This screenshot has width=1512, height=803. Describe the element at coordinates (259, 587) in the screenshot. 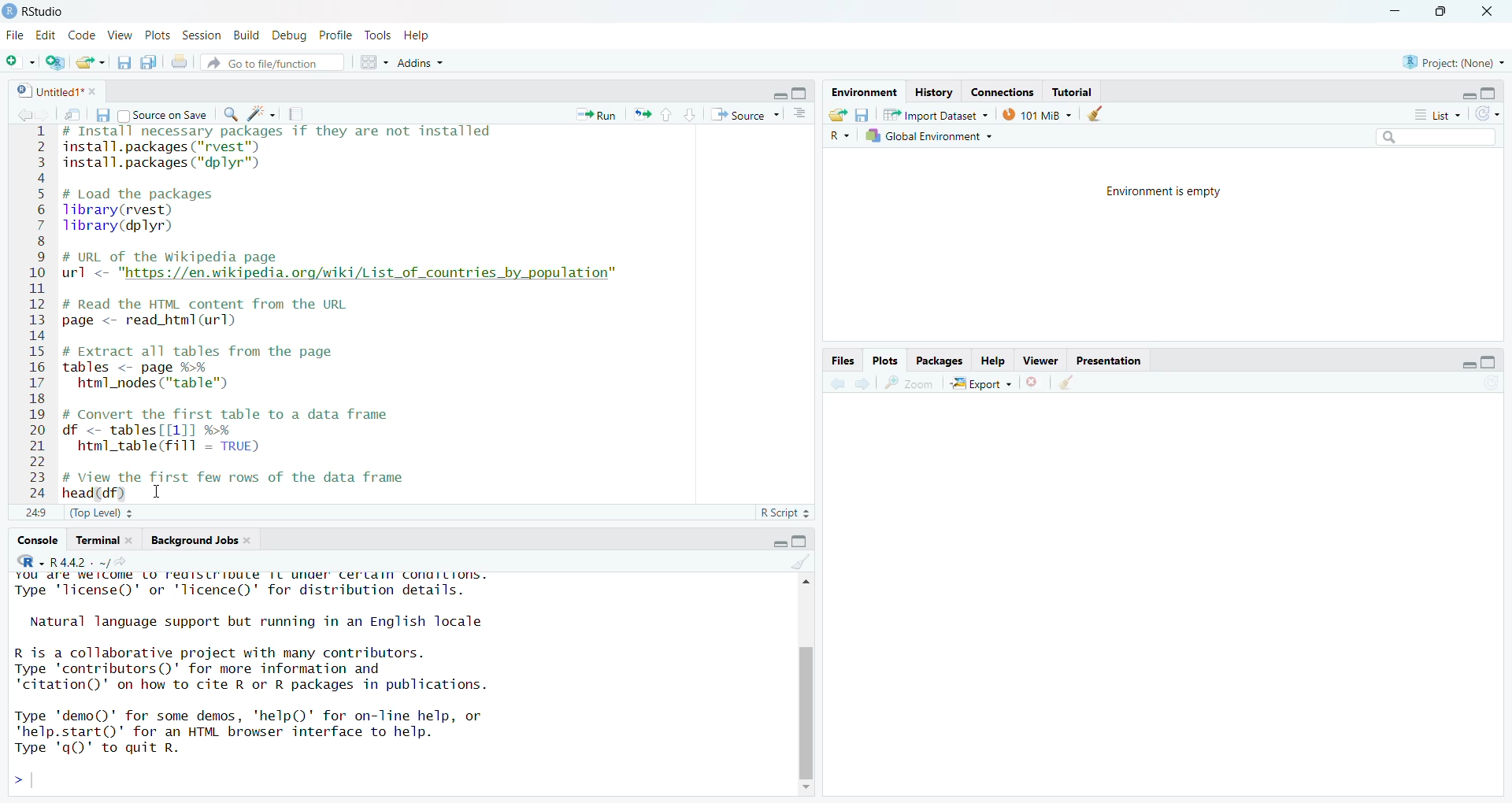

I see `You are welcome to redistribute it under certain conditions Type 'license()' or 'Ticence()' for distribution details.` at that location.